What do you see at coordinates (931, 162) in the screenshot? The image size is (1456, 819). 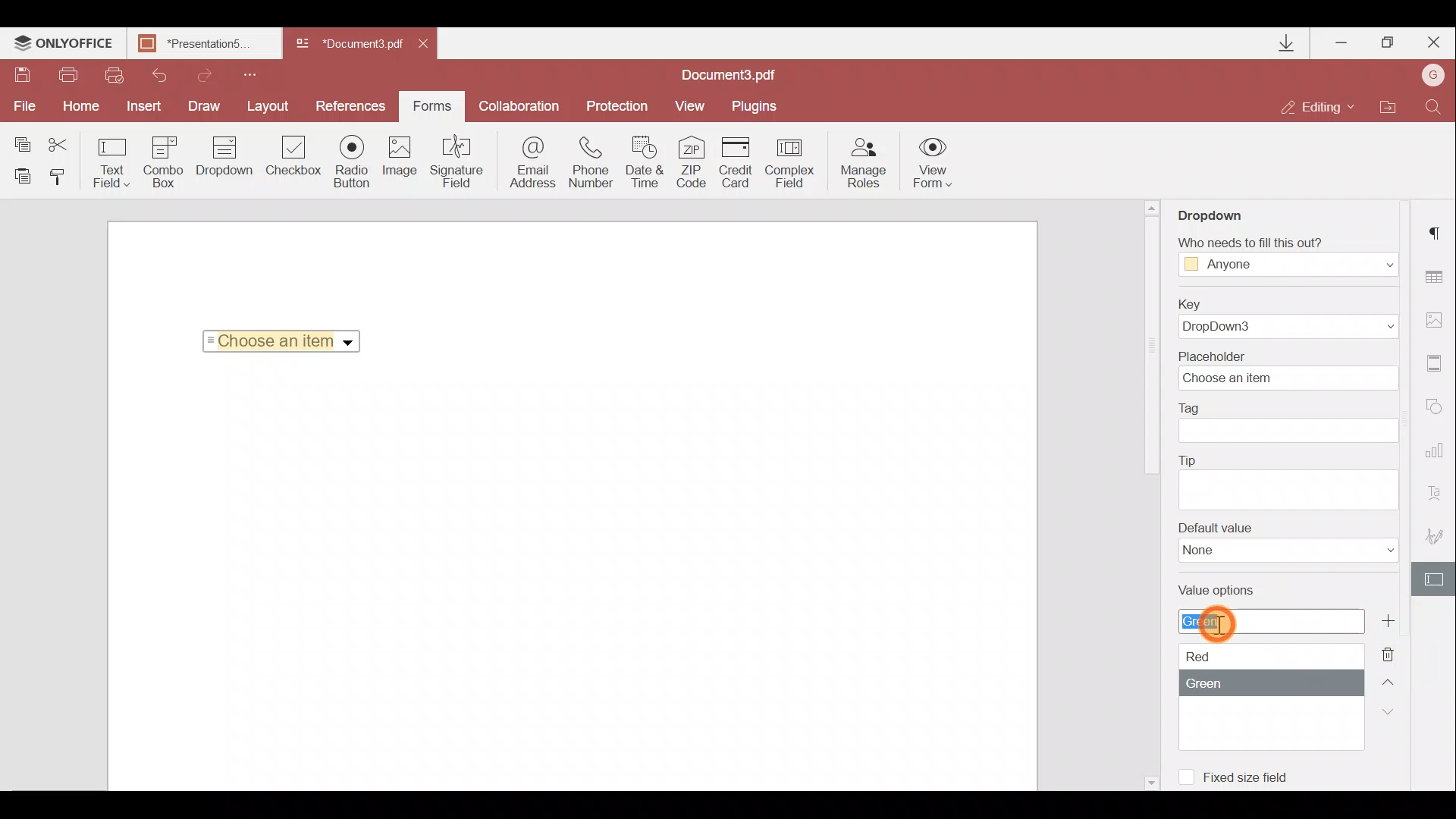 I see `View form` at bounding box center [931, 162].